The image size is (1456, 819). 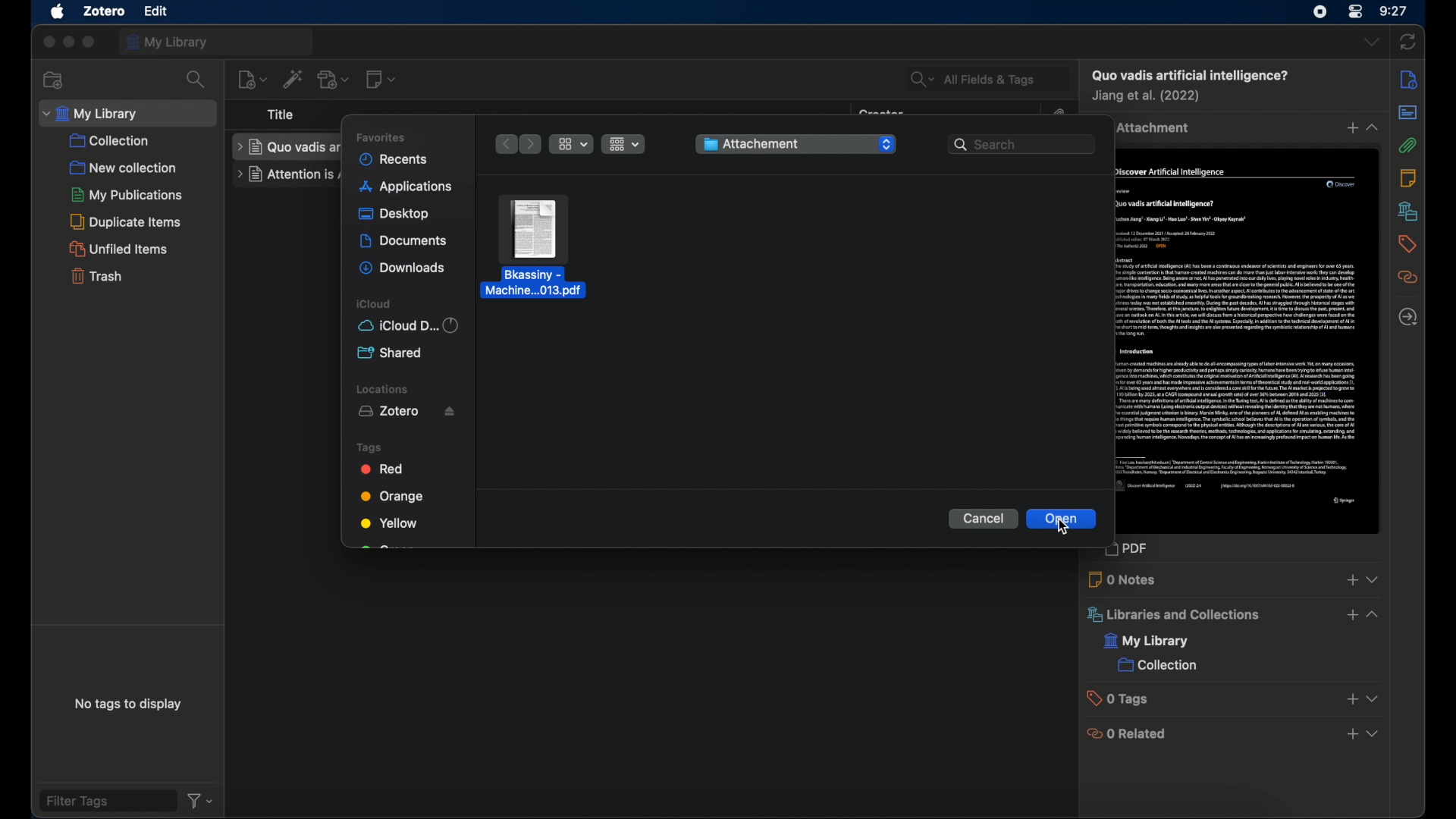 What do you see at coordinates (1407, 146) in the screenshot?
I see `attachments` at bounding box center [1407, 146].